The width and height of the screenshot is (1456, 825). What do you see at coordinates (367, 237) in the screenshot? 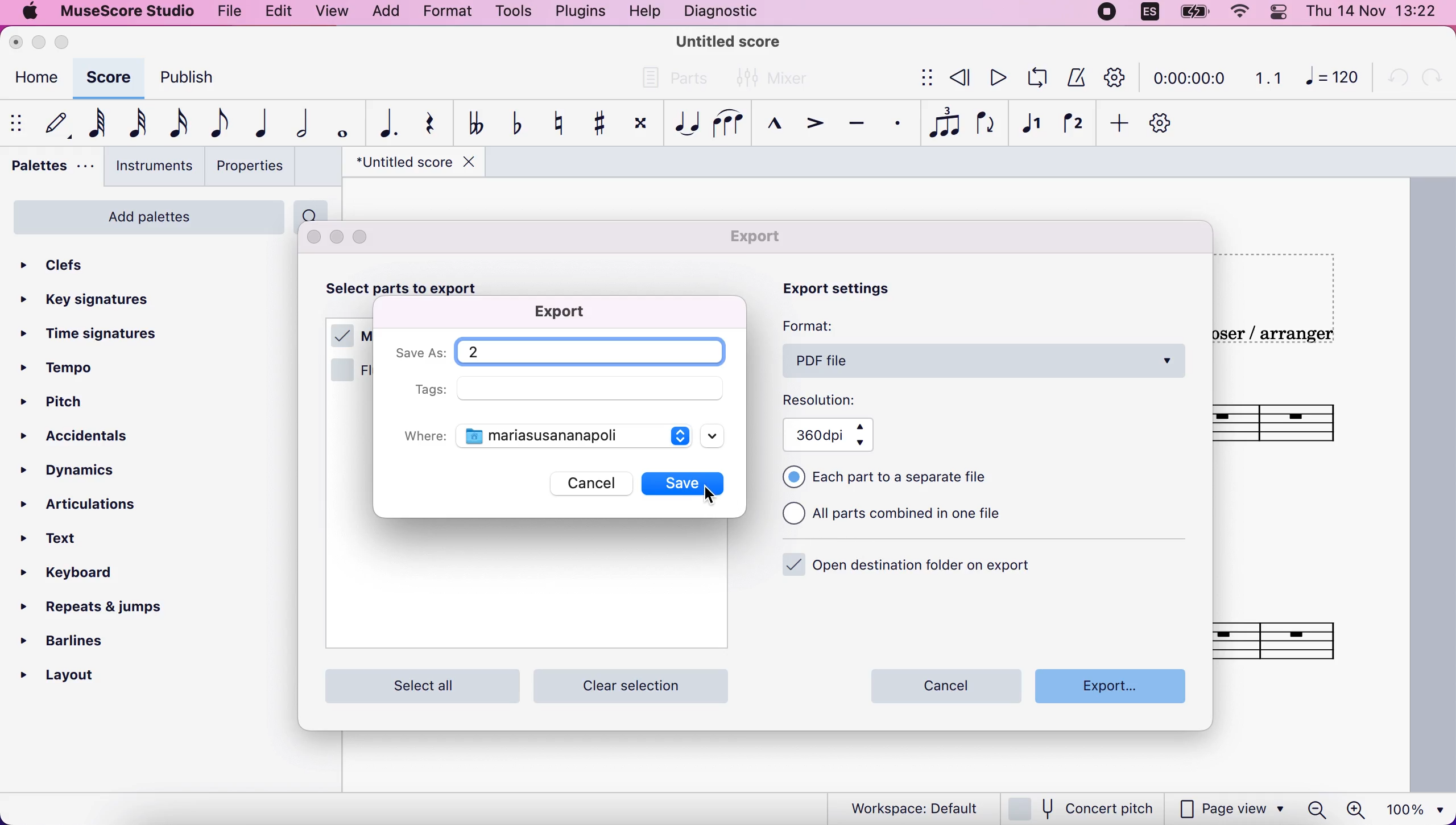
I see `maximize` at bounding box center [367, 237].